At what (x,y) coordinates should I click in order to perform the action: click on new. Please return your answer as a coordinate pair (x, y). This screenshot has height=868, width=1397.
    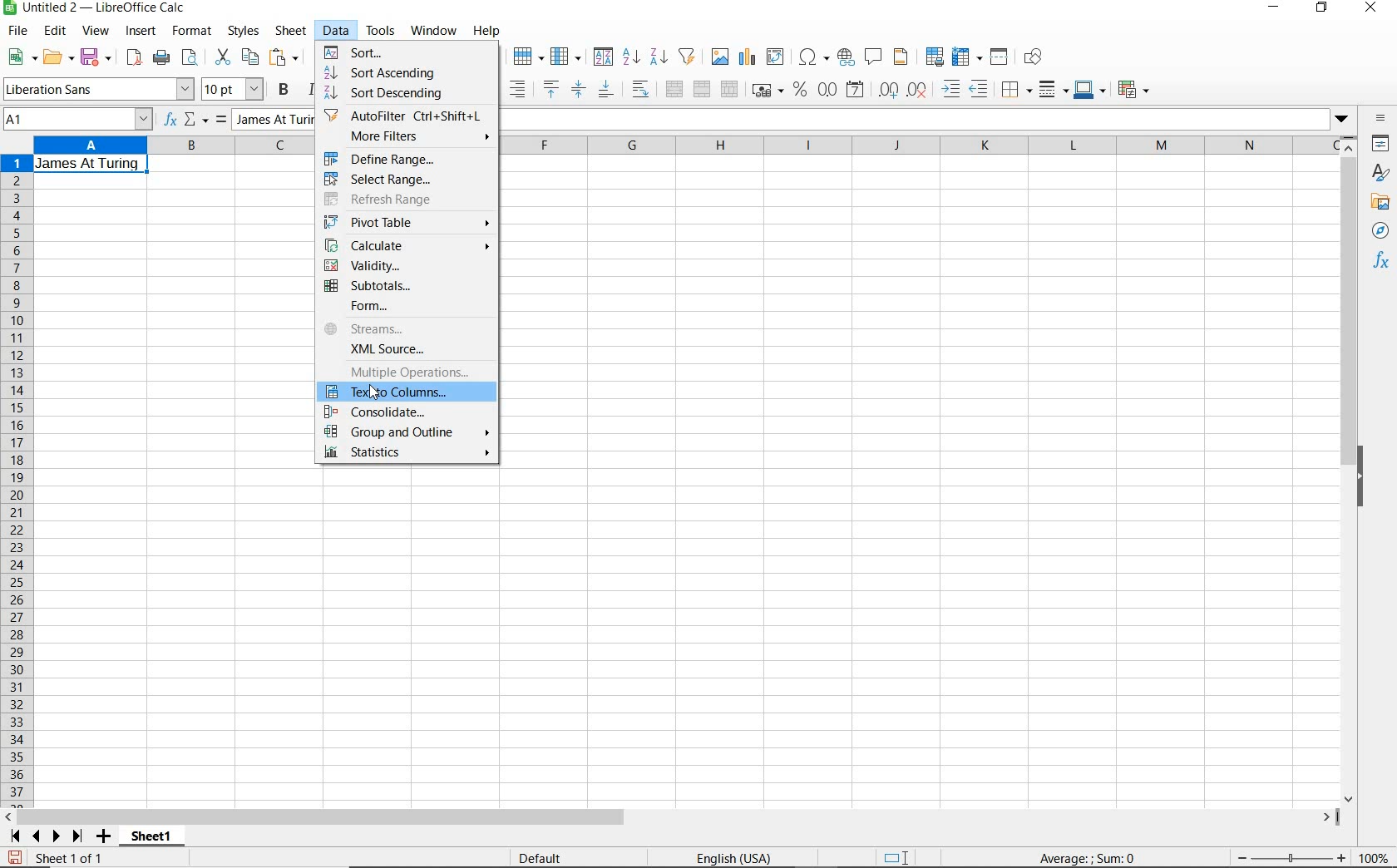
    Looking at the image, I should click on (21, 57).